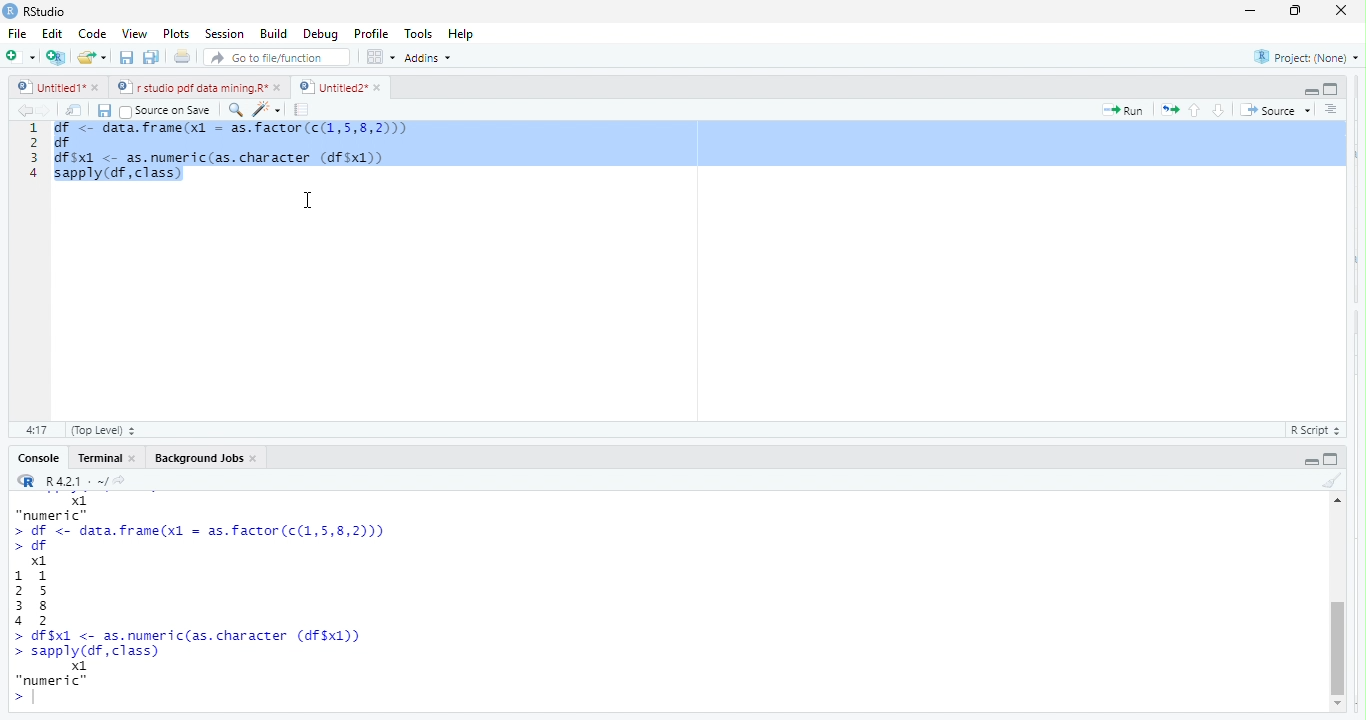 The image size is (1366, 720). What do you see at coordinates (20, 59) in the screenshot?
I see `new file` at bounding box center [20, 59].